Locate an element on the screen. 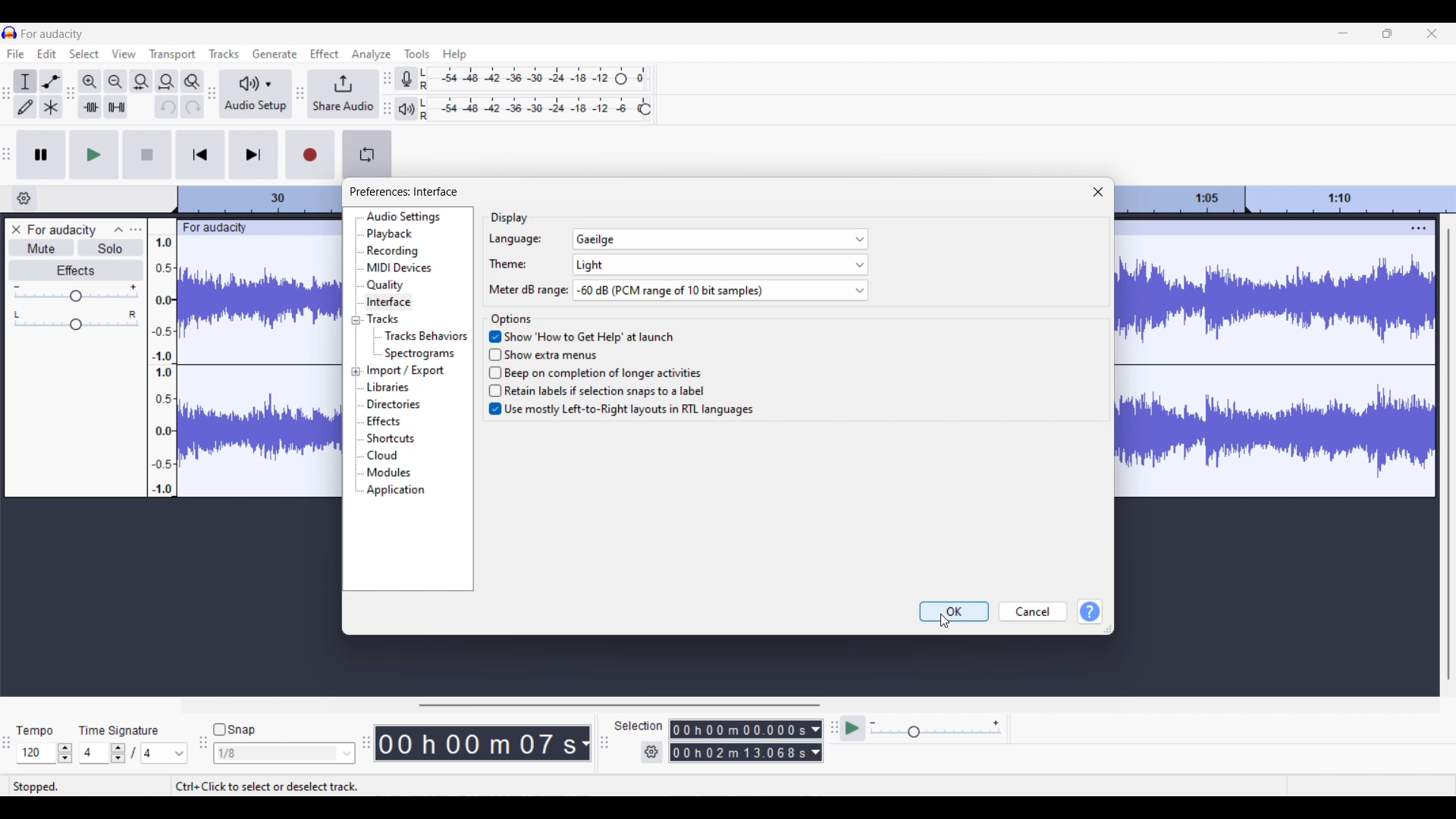 The image size is (1456, 819). Zoom out is located at coordinates (116, 82).